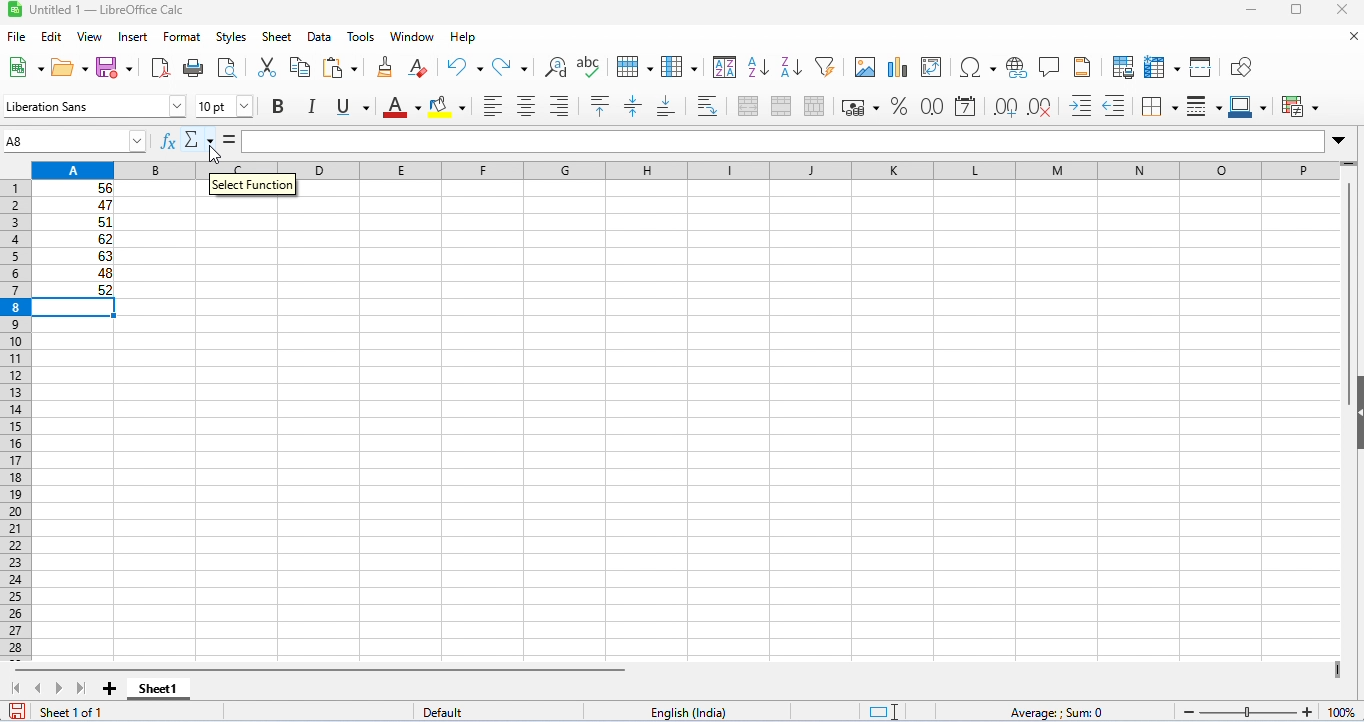 The image size is (1364, 722). What do you see at coordinates (465, 37) in the screenshot?
I see `help` at bounding box center [465, 37].